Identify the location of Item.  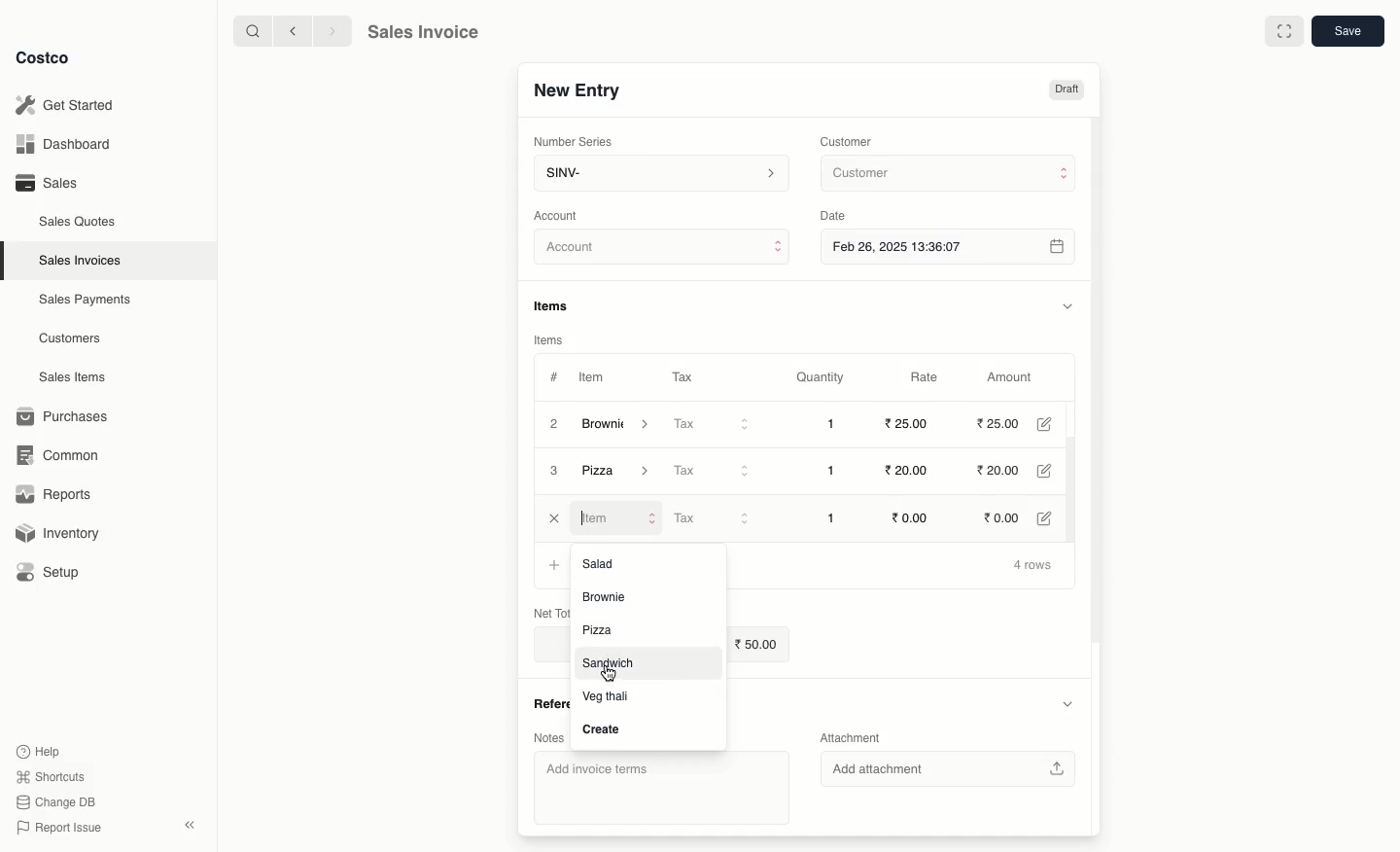
(617, 517).